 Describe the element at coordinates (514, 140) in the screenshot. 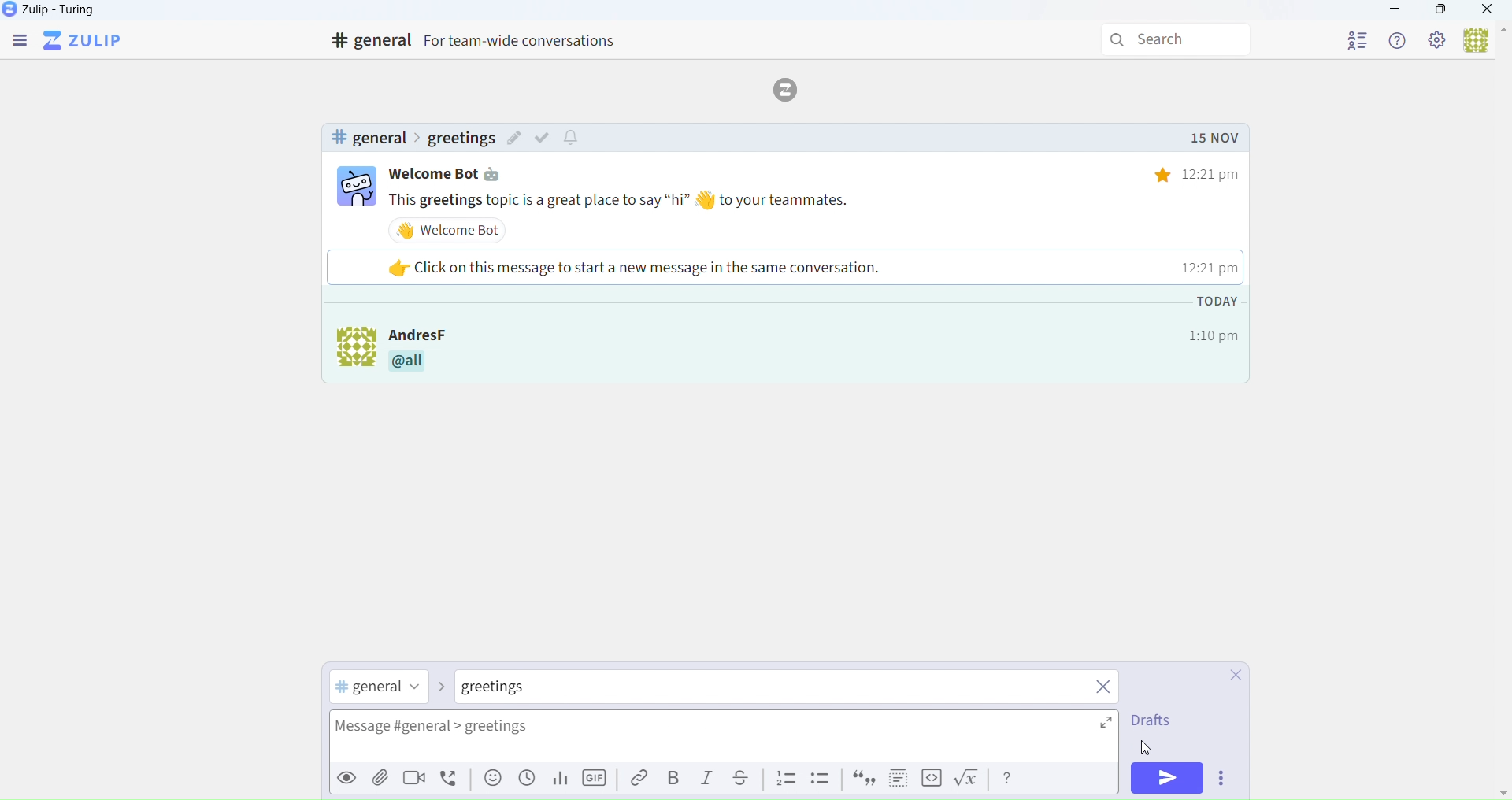

I see `edit` at that location.